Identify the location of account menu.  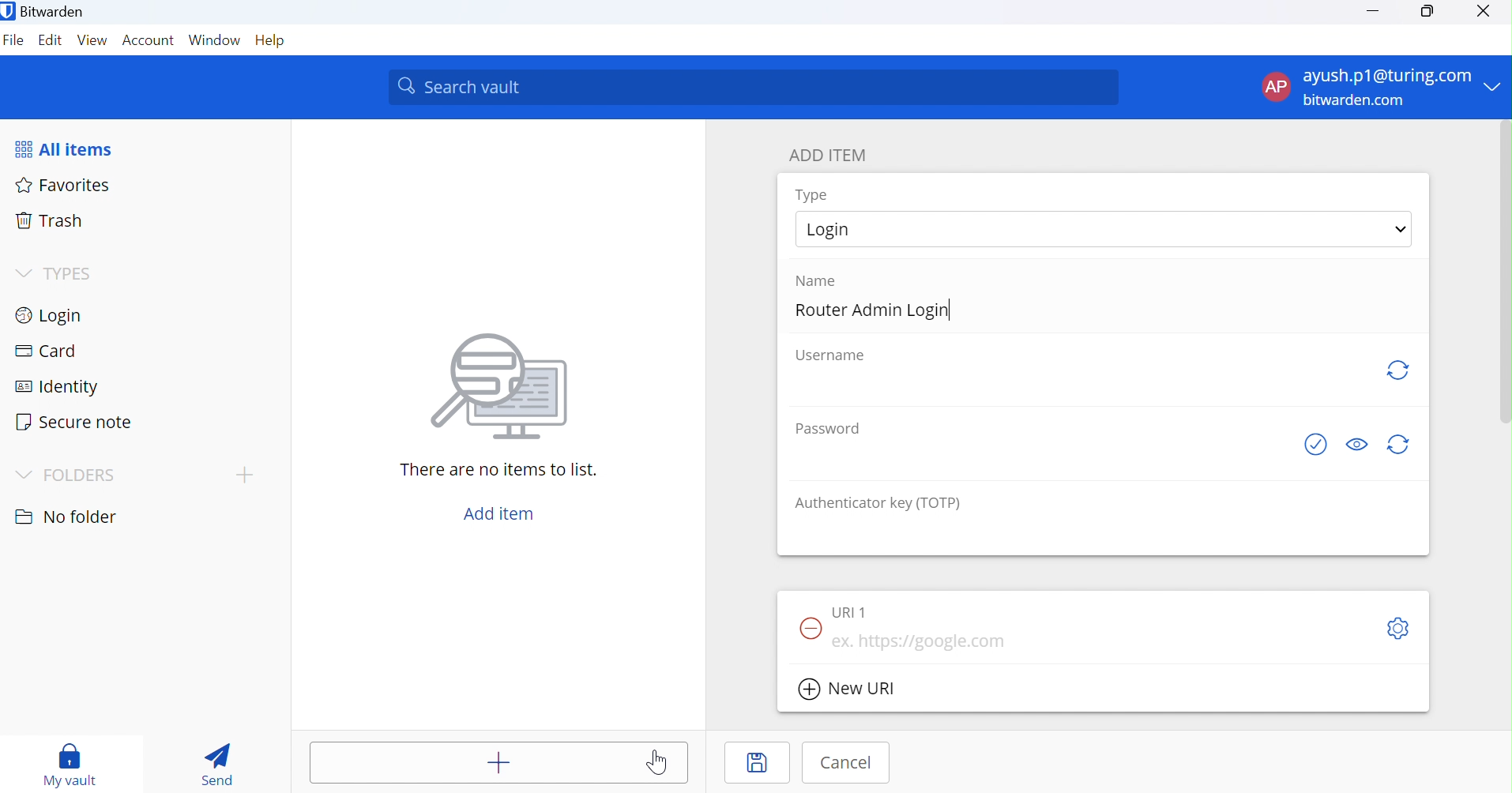
(1380, 88).